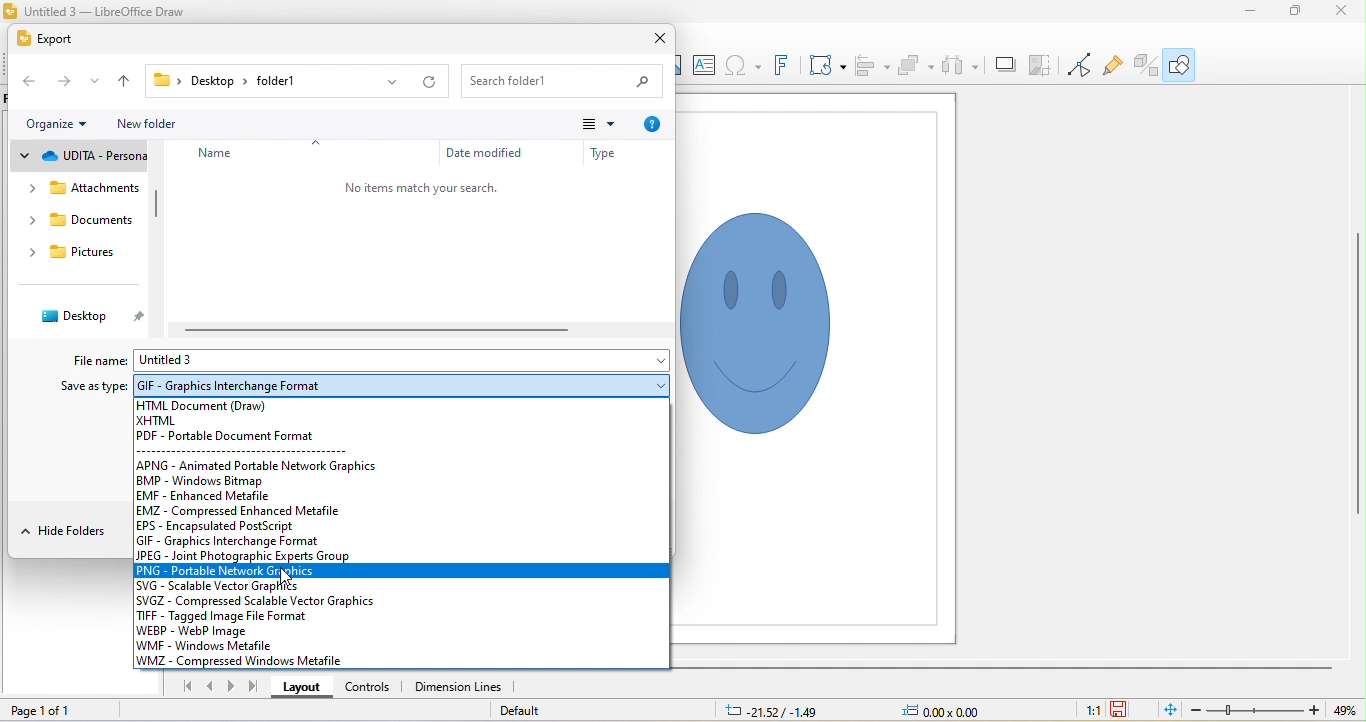 The height and width of the screenshot is (722, 1366). What do you see at coordinates (405, 570) in the screenshot?
I see `portable network graphics` at bounding box center [405, 570].